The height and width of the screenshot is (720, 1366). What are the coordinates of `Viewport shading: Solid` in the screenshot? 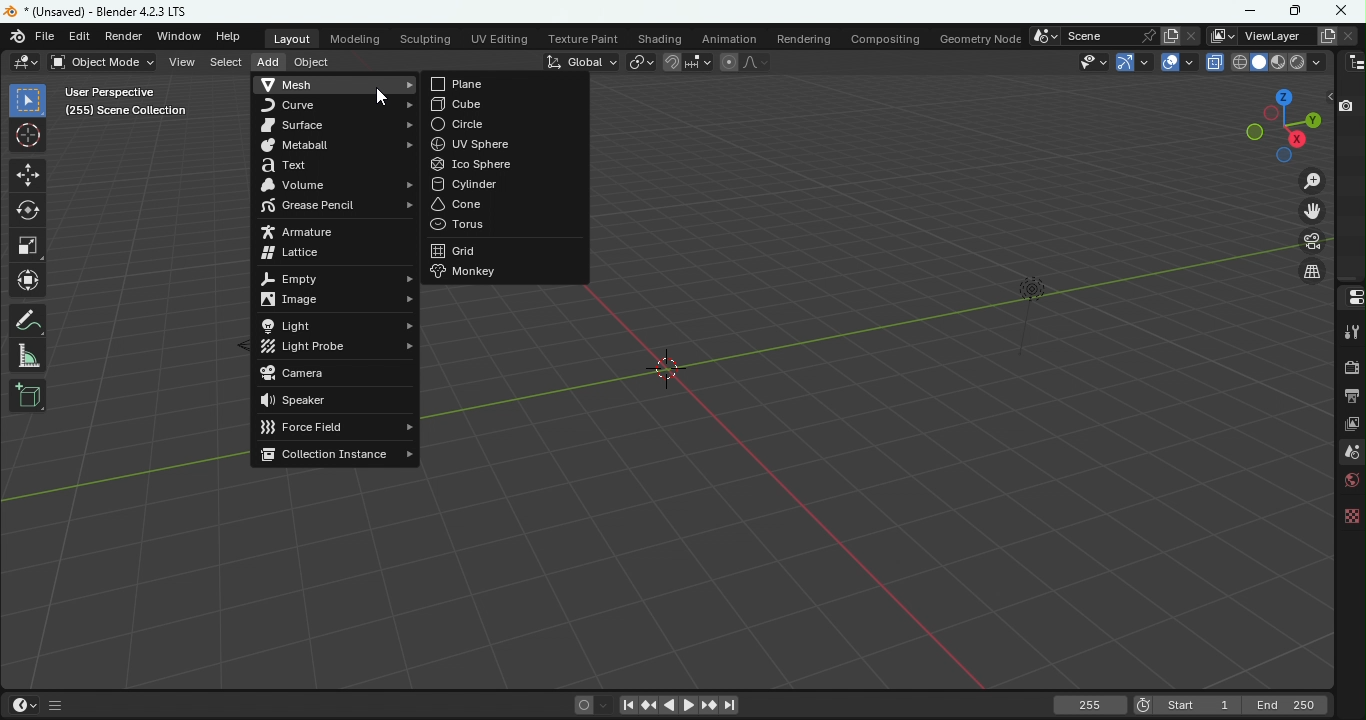 It's located at (1257, 62).